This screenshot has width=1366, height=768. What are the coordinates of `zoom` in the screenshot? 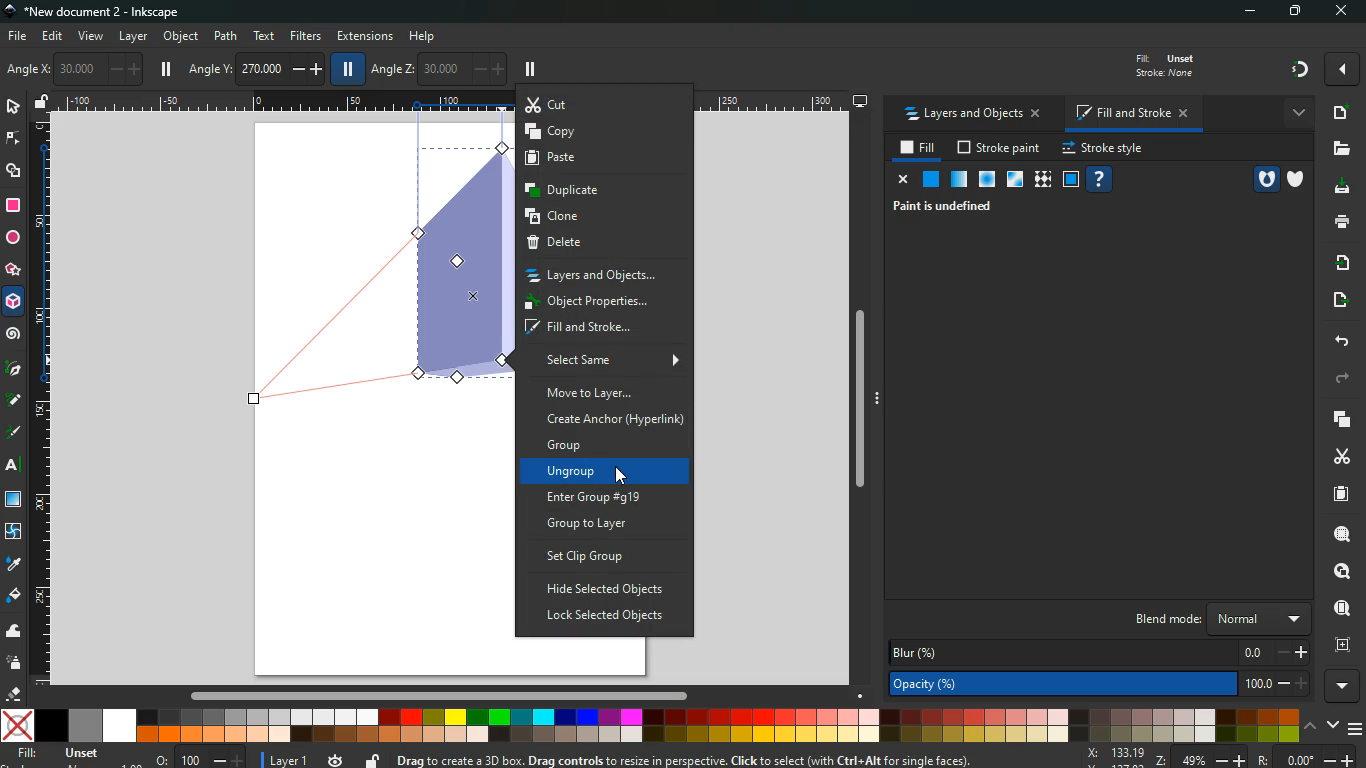 It's located at (1221, 758).